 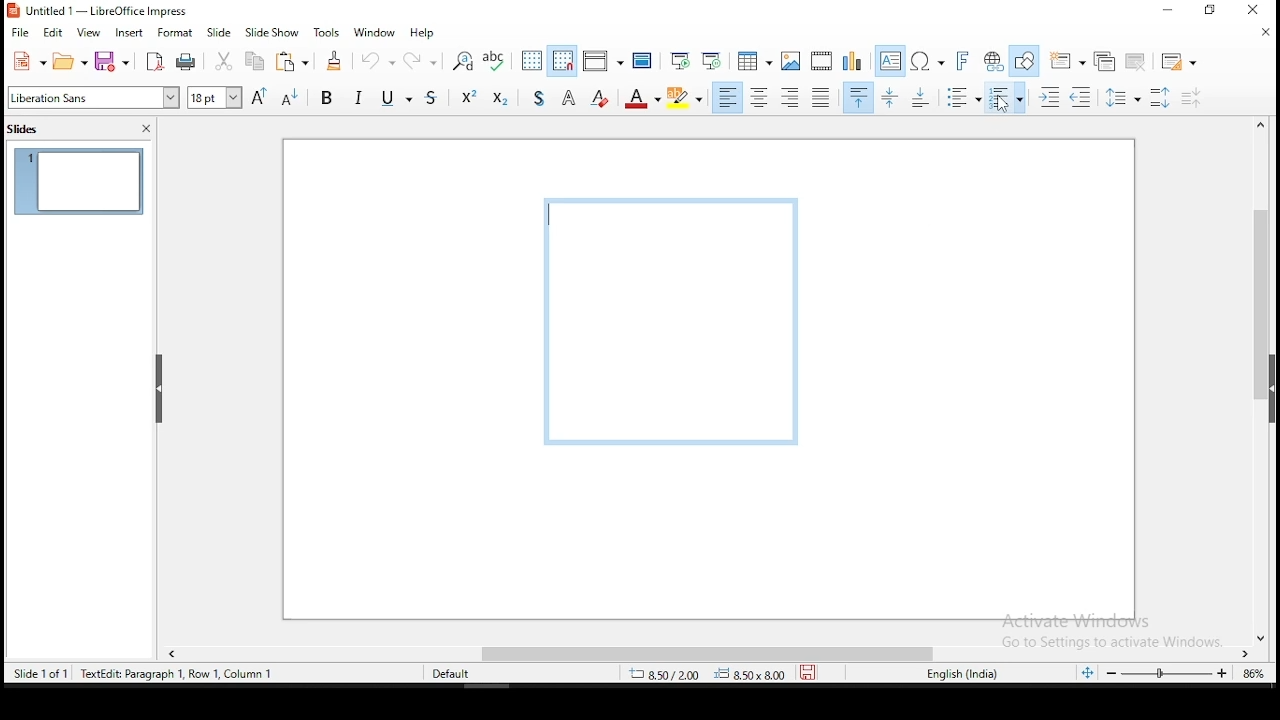 What do you see at coordinates (823, 62) in the screenshot?
I see `insert video` at bounding box center [823, 62].